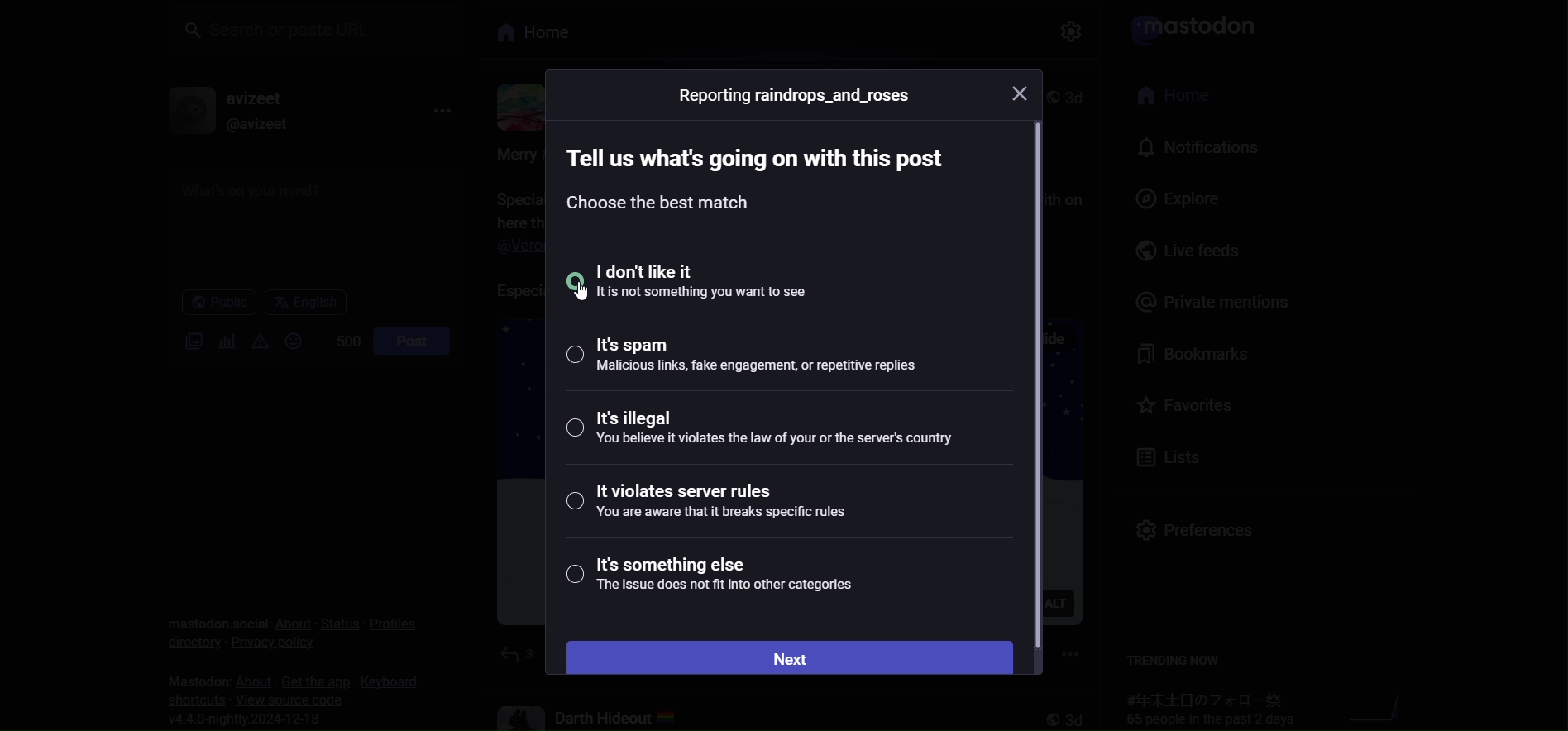 The height and width of the screenshot is (731, 1568). What do you see at coordinates (1035, 383) in the screenshot?
I see `scroll bar` at bounding box center [1035, 383].